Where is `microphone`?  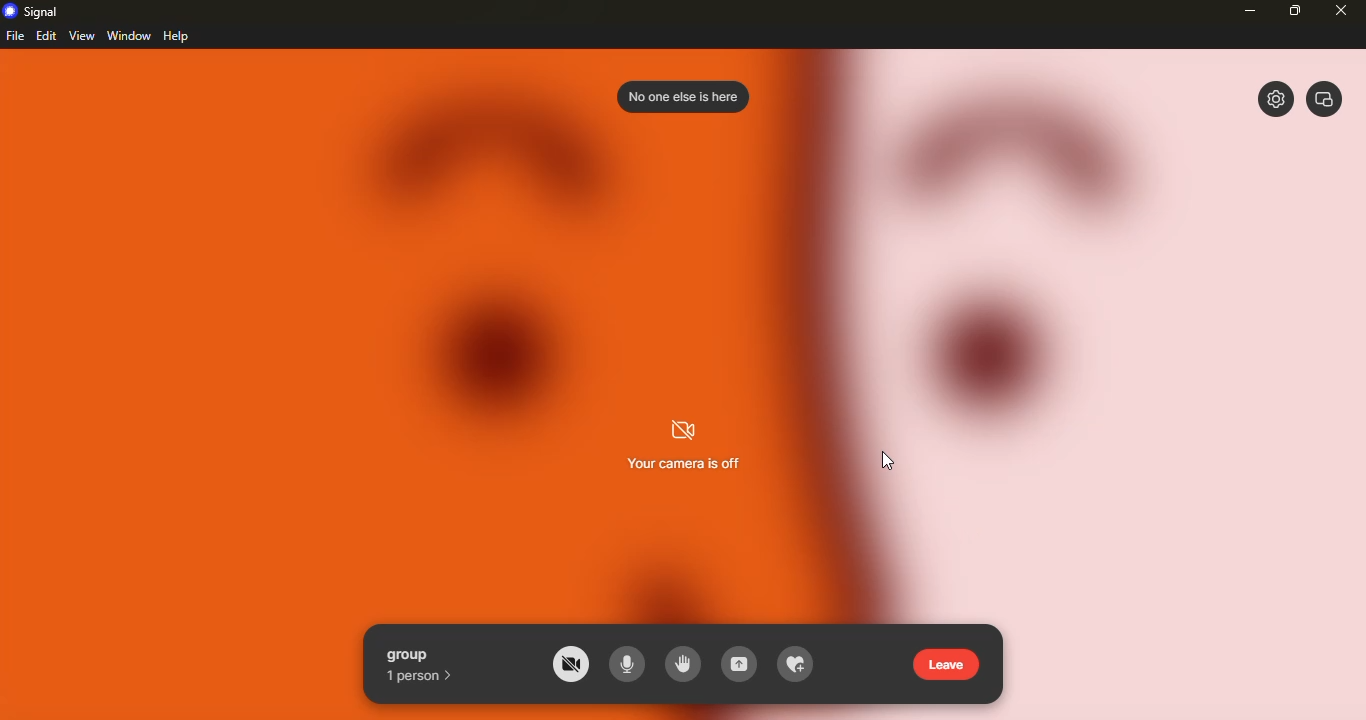
microphone is located at coordinates (626, 664).